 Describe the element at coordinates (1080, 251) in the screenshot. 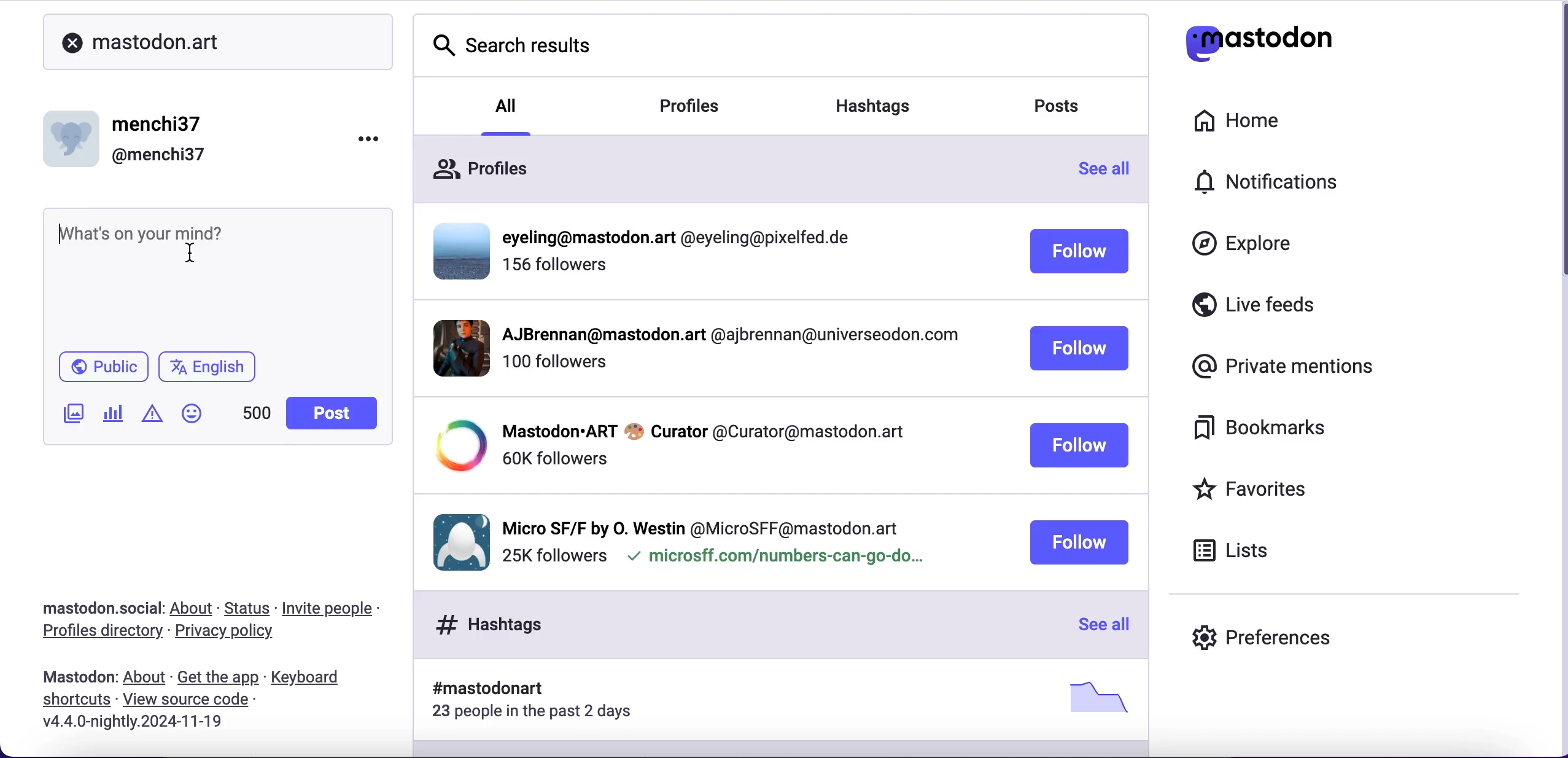

I see `follow` at that location.